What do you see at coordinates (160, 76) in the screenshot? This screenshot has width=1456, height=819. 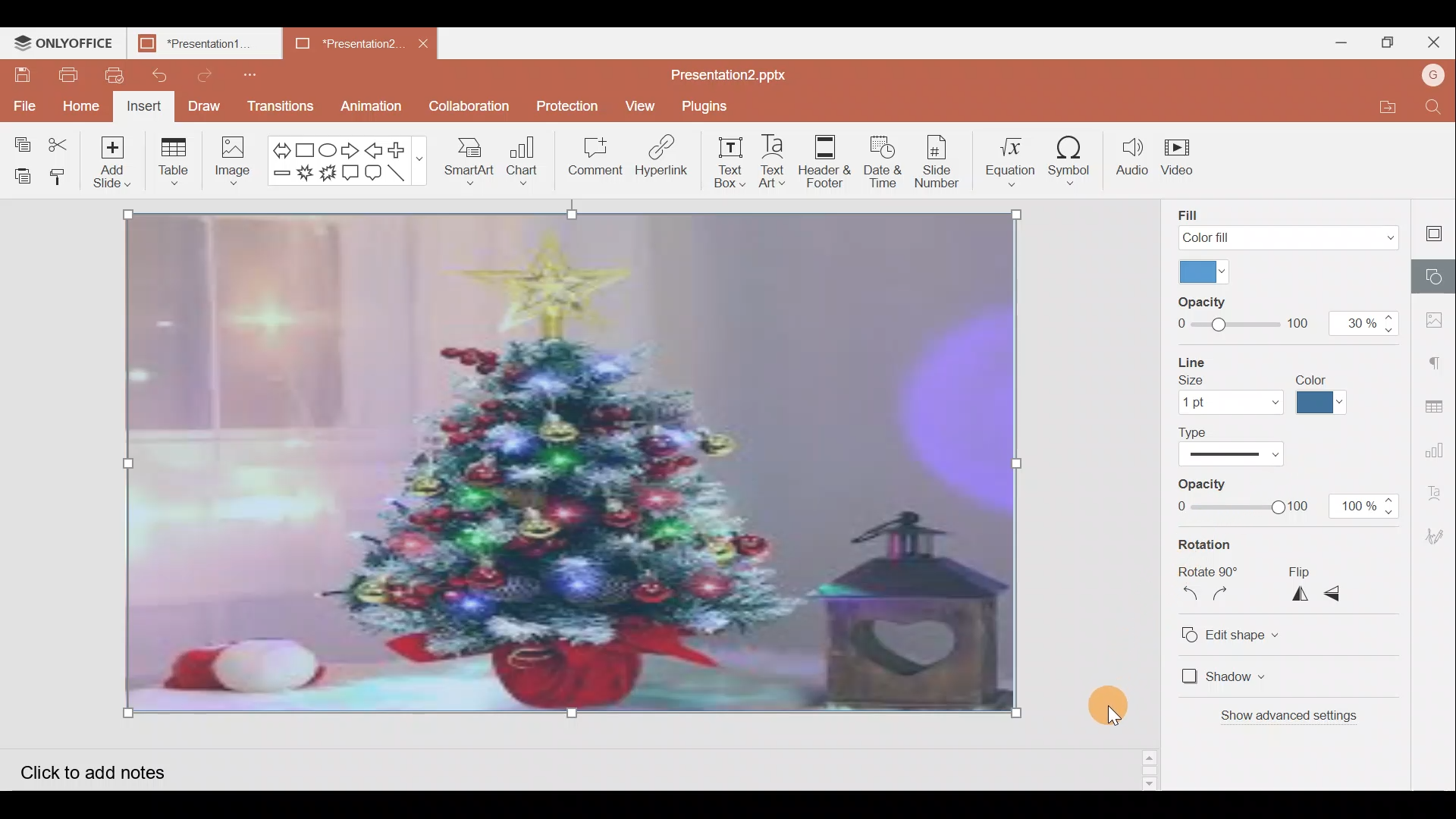 I see `Undo` at bounding box center [160, 76].